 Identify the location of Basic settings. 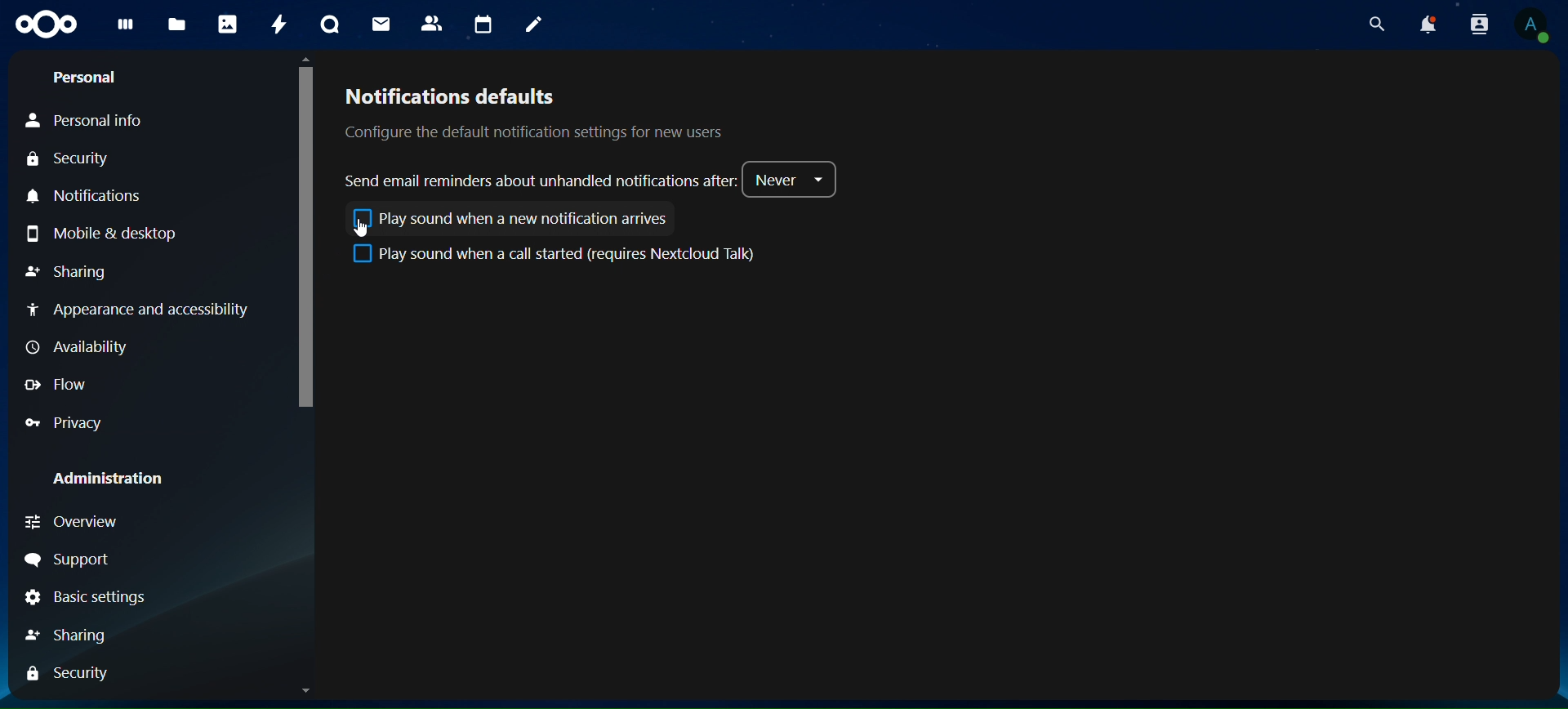
(88, 599).